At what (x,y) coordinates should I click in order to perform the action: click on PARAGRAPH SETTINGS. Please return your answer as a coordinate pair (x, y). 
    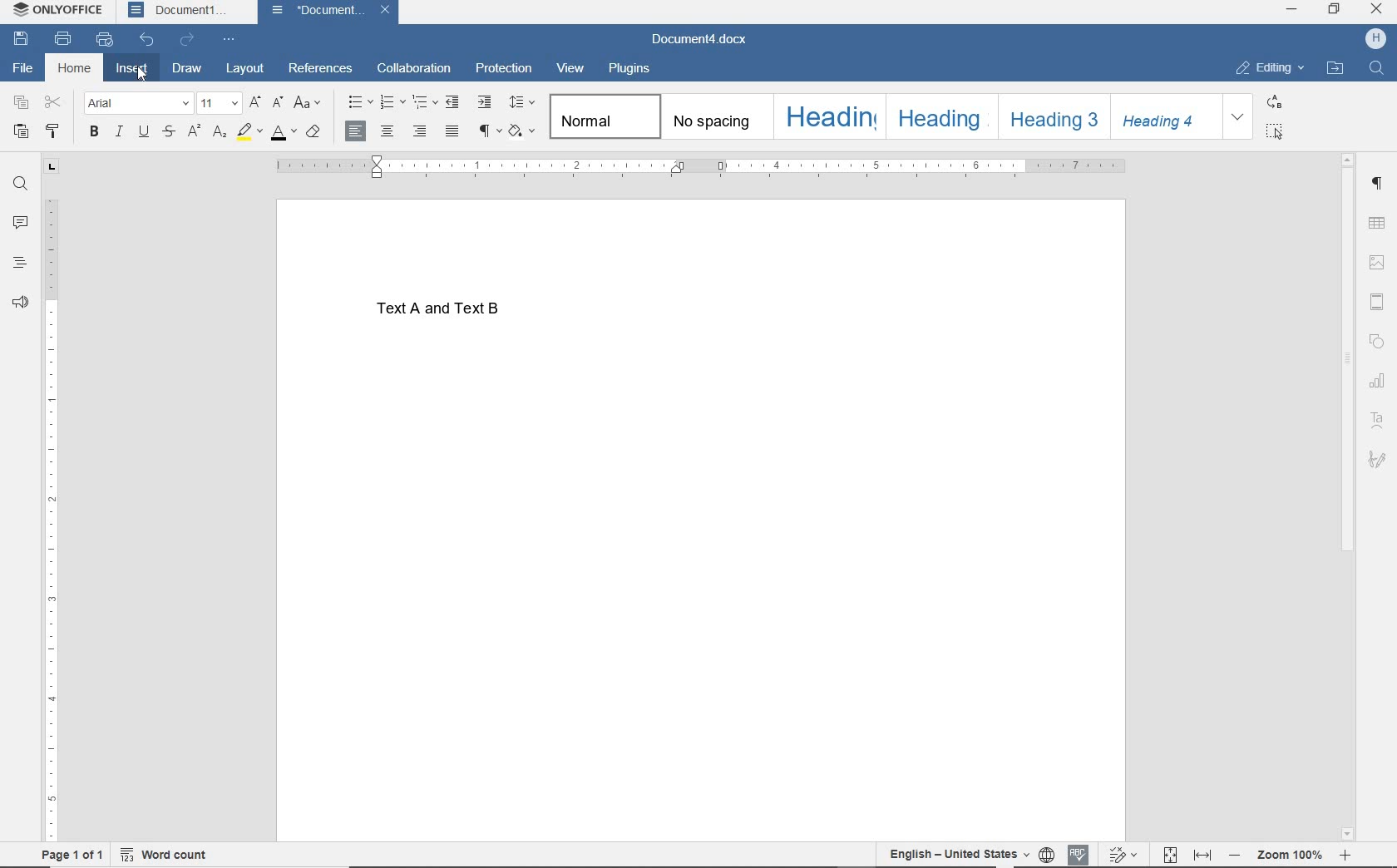
    Looking at the image, I should click on (1377, 184).